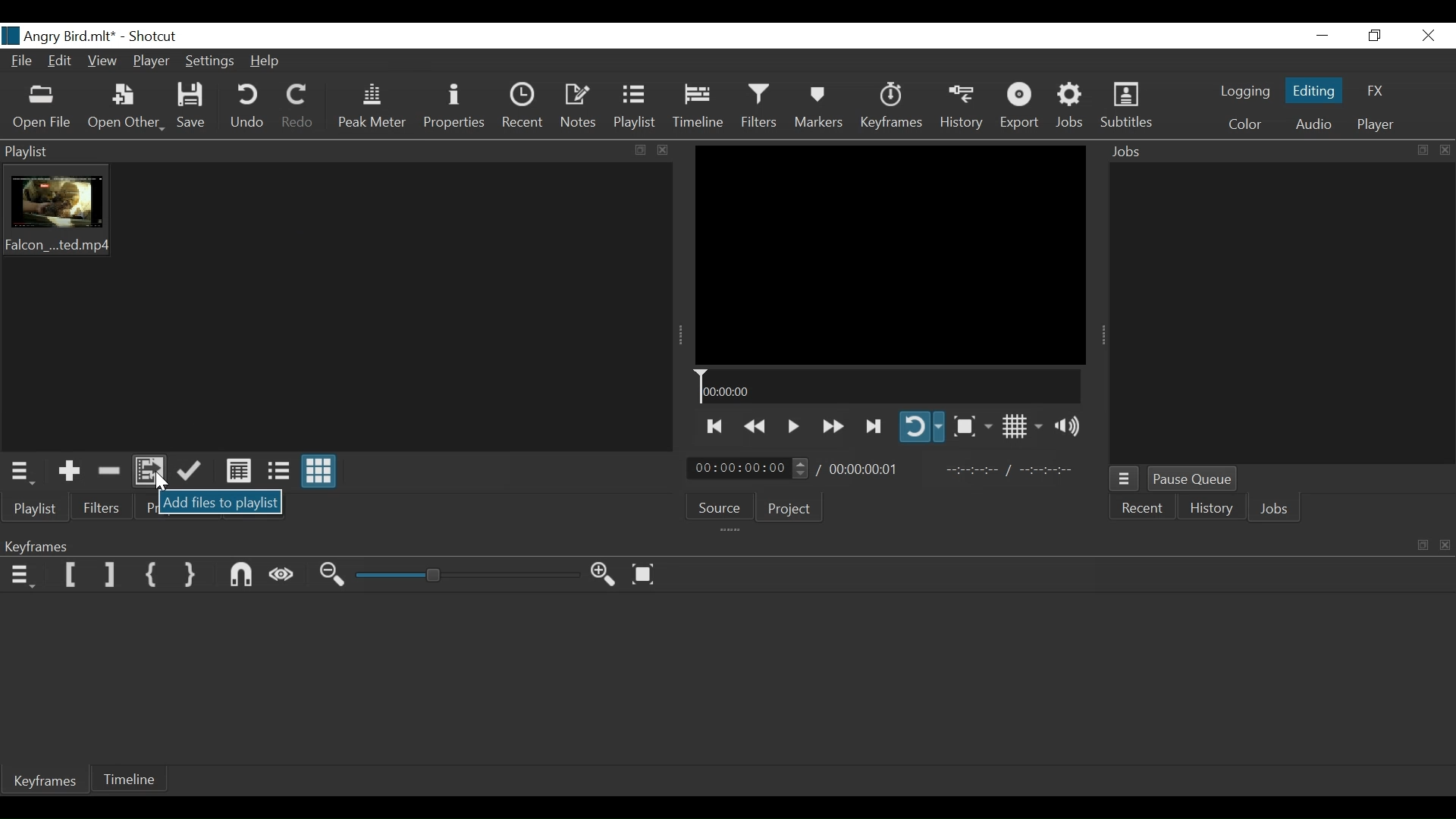  Describe the element at coordinates (319, 472) in the screenshot. I see `View as ions` at that location.